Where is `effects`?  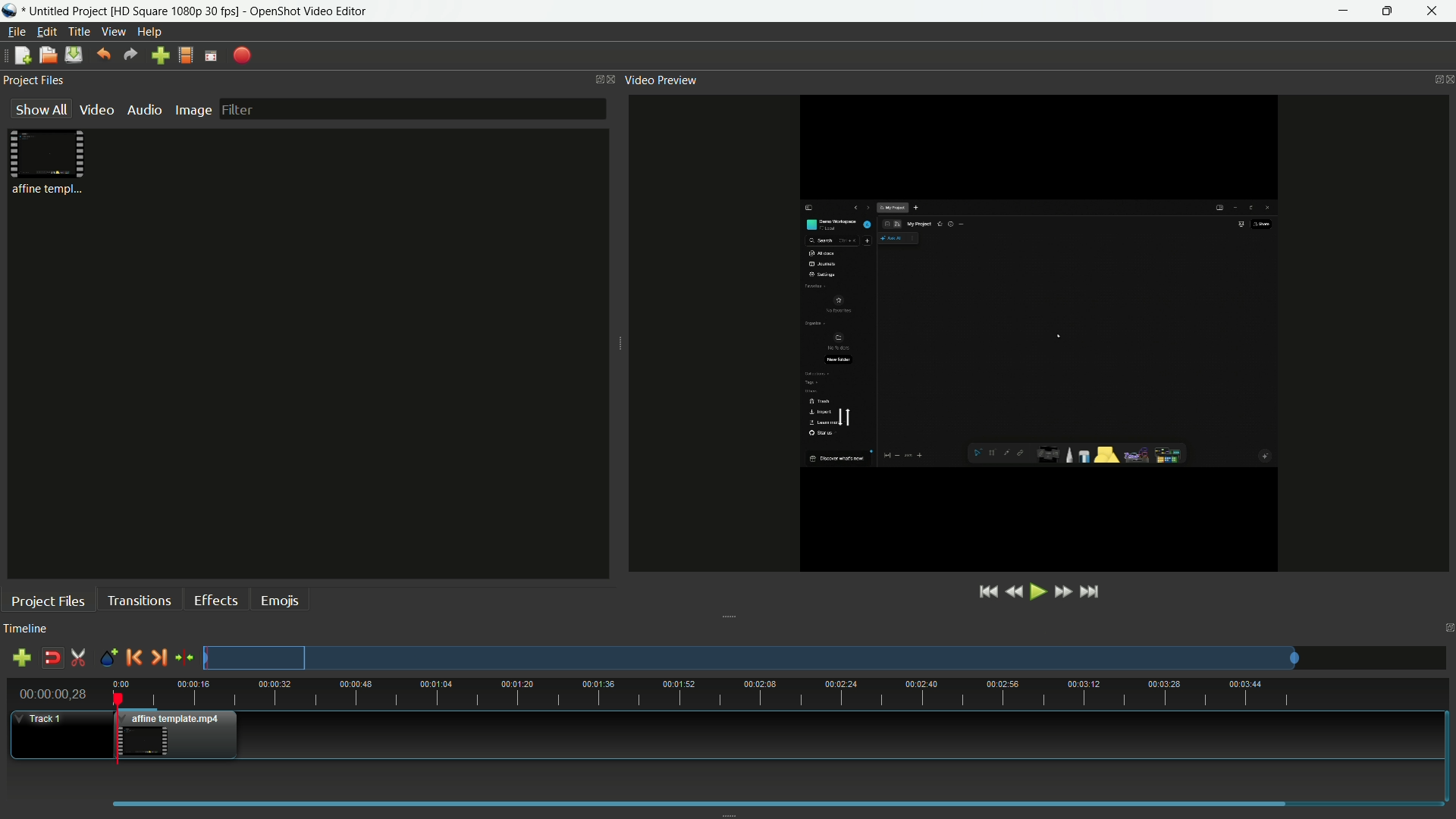
effects is located at coordinates (218, 600).